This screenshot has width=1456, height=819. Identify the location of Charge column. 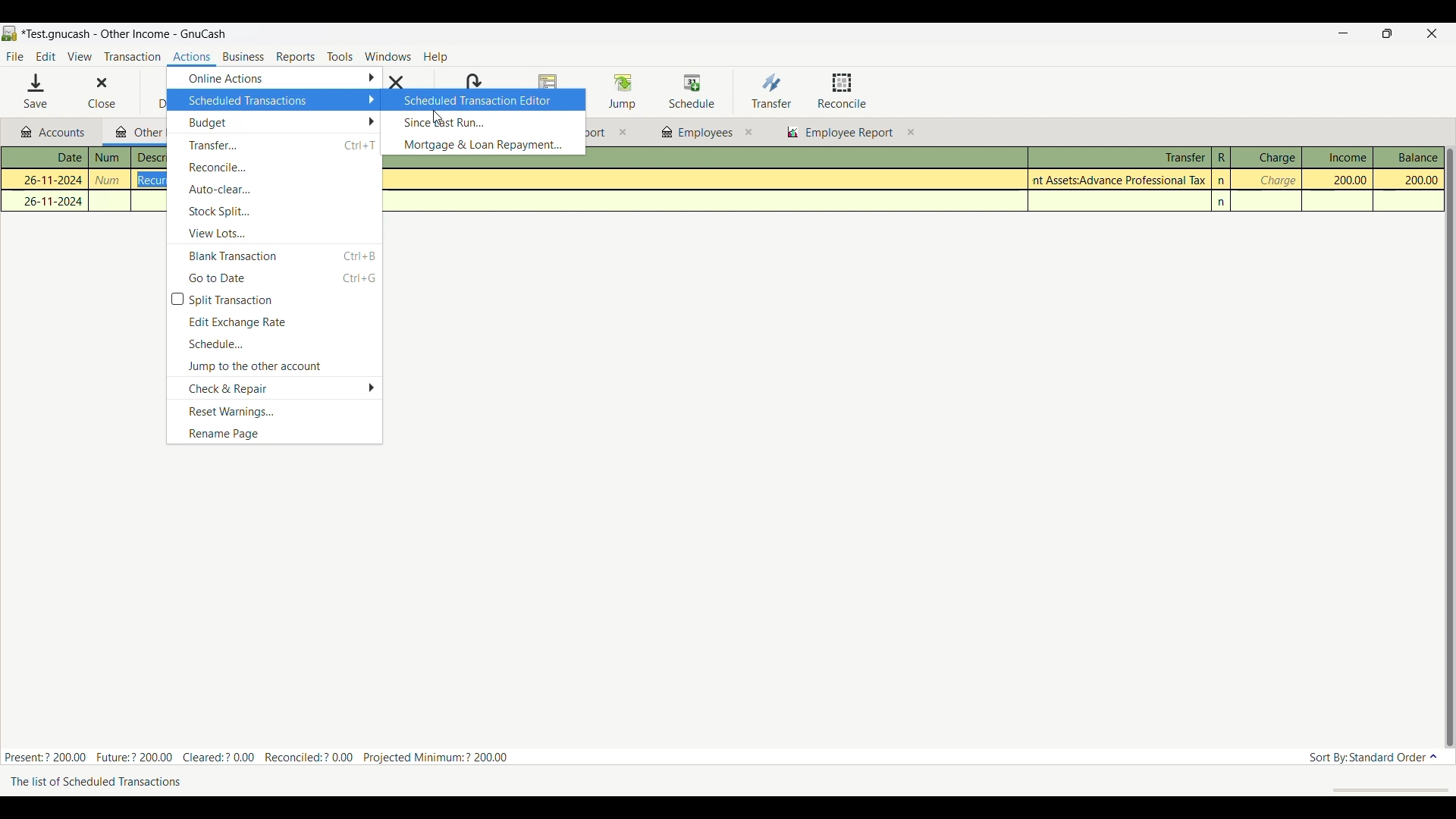
(1266, 158).